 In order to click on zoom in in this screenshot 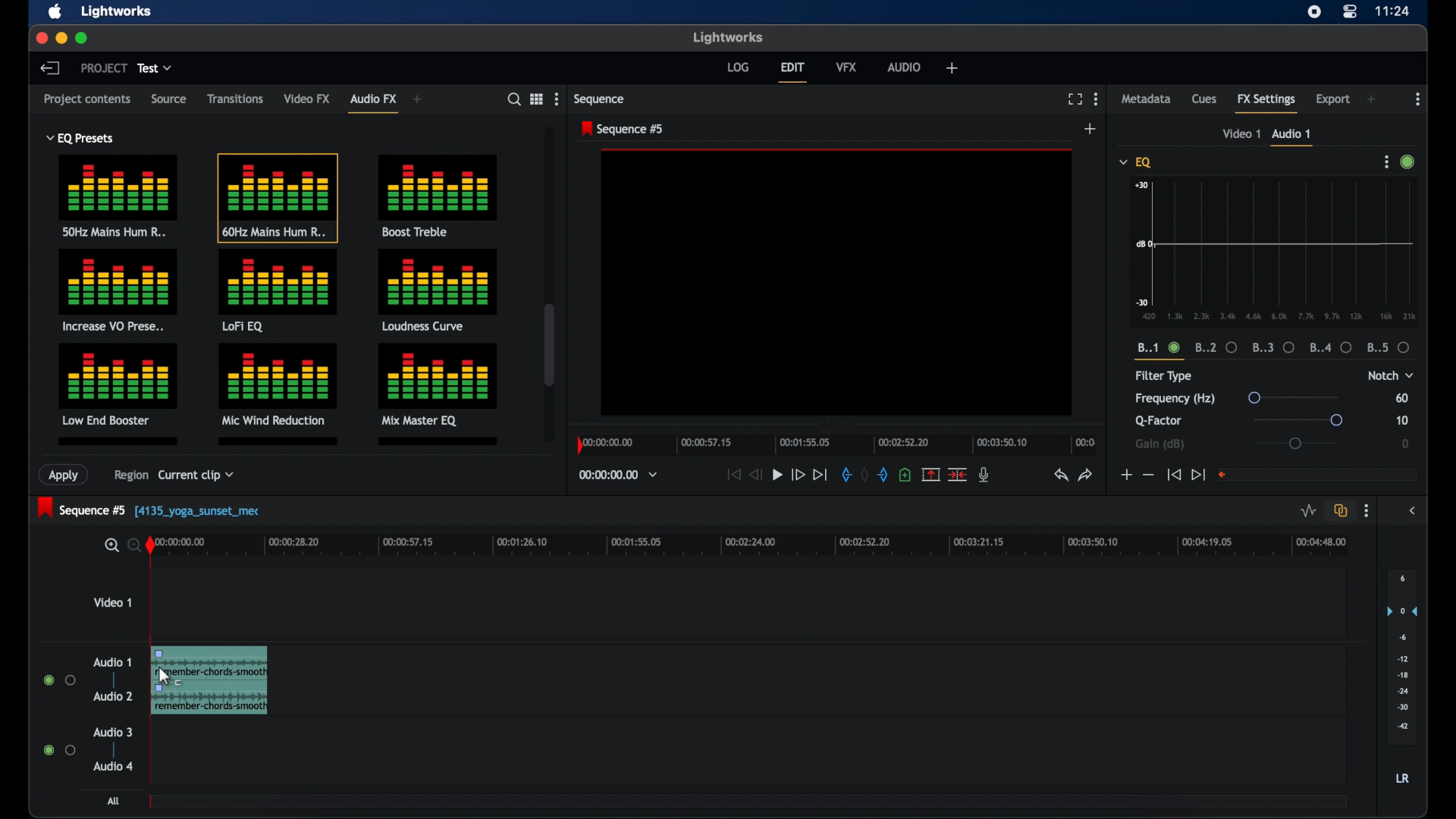, I will do `click(109, 545)`.